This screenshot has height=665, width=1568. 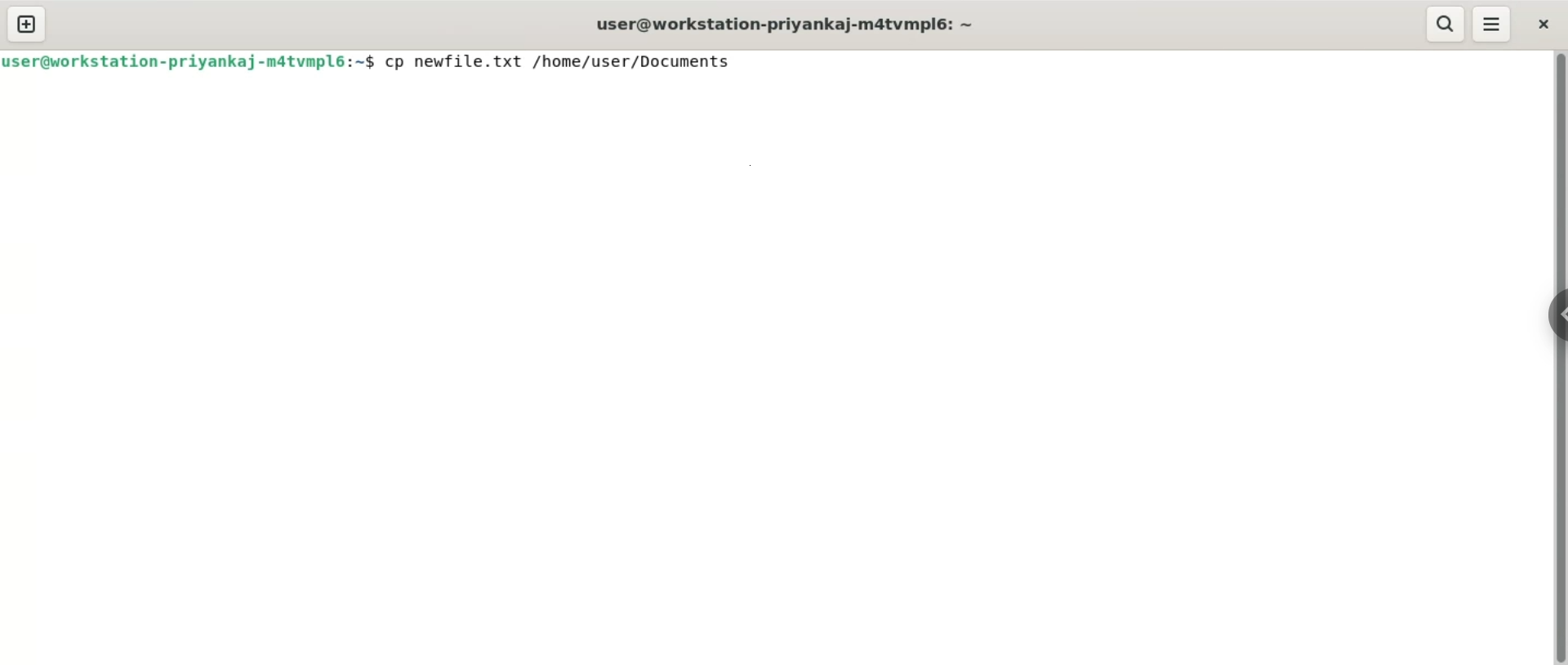 I want to click on menu, so click(x=1493, y=24).